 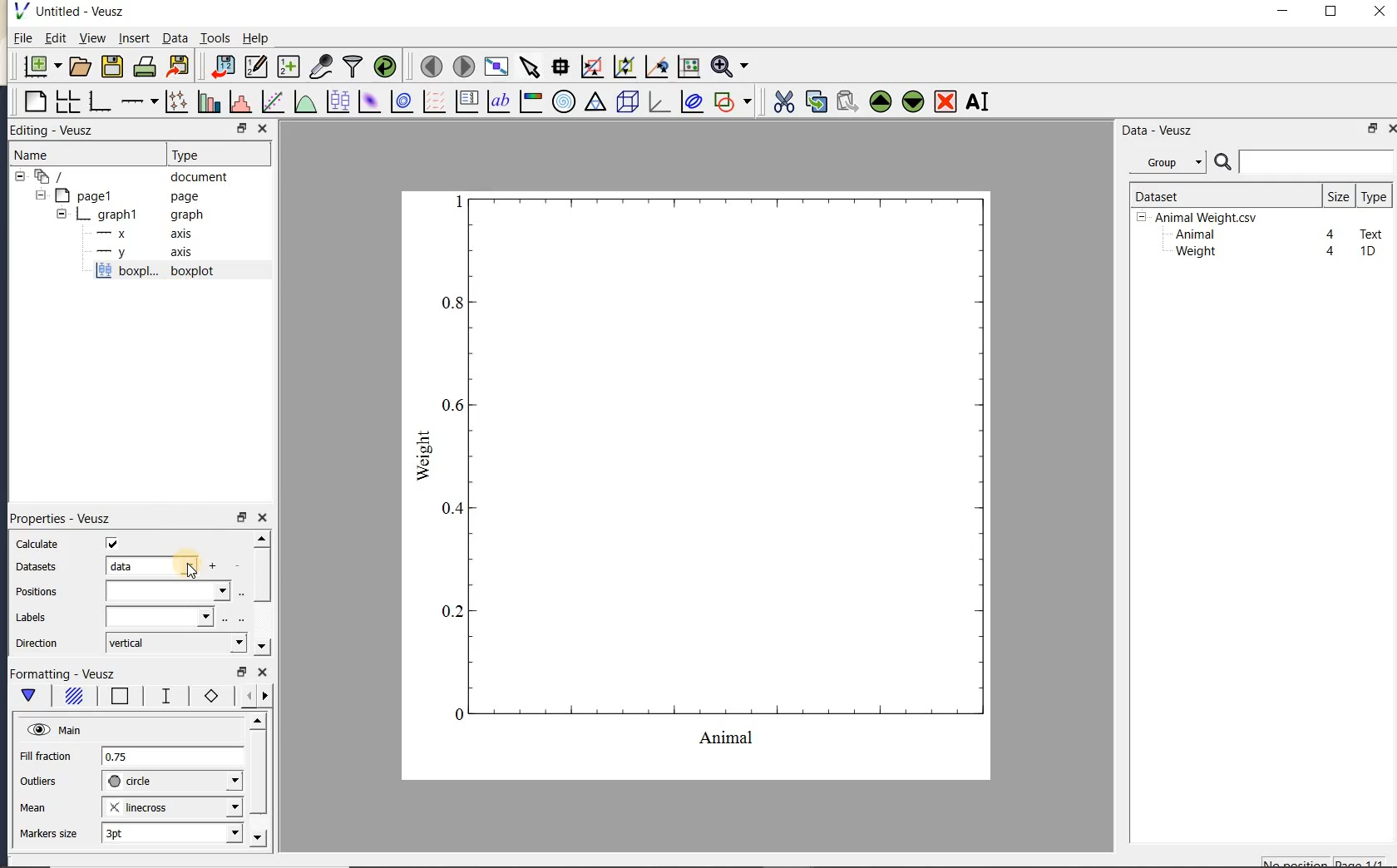 What do you see at coordinates (208, 696) in the screenshot?
I see `markers border` at bounding box center [208, 696].